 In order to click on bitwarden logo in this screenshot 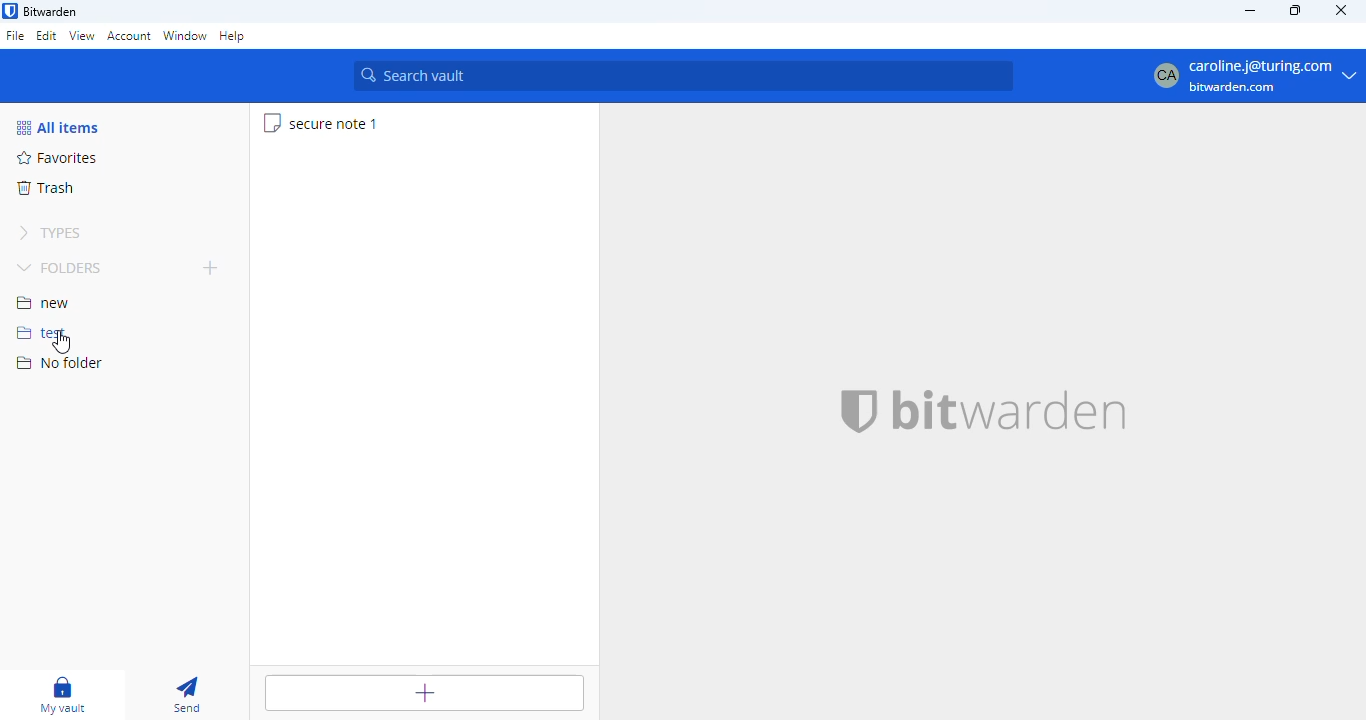, I will do `click(857, 408)`.